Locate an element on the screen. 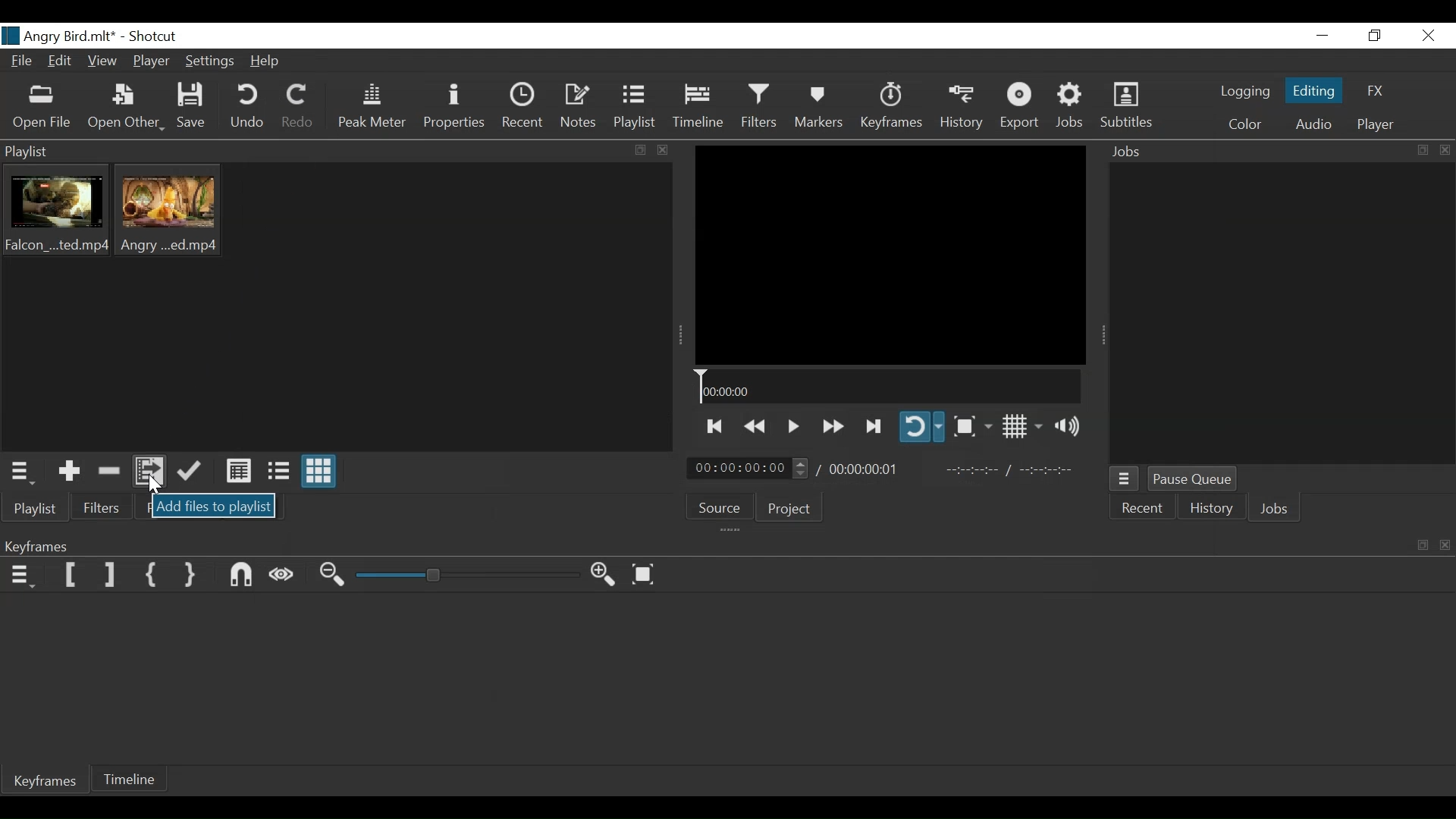 This screenshot has width=1456, height=819. Open File is located at coordinates (43, 108).